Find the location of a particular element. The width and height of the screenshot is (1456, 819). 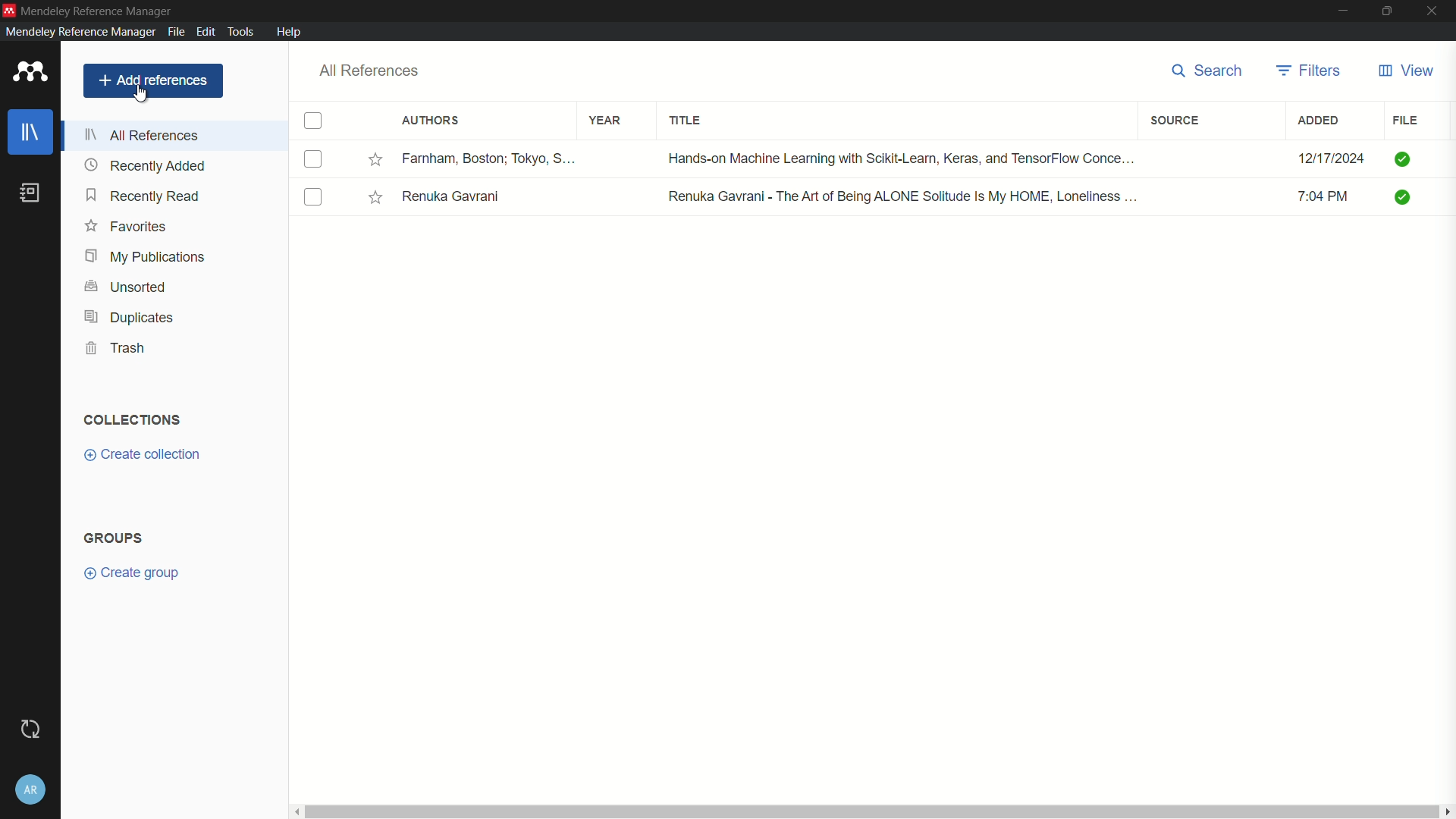

app icon is located at coordinates (30, 73).